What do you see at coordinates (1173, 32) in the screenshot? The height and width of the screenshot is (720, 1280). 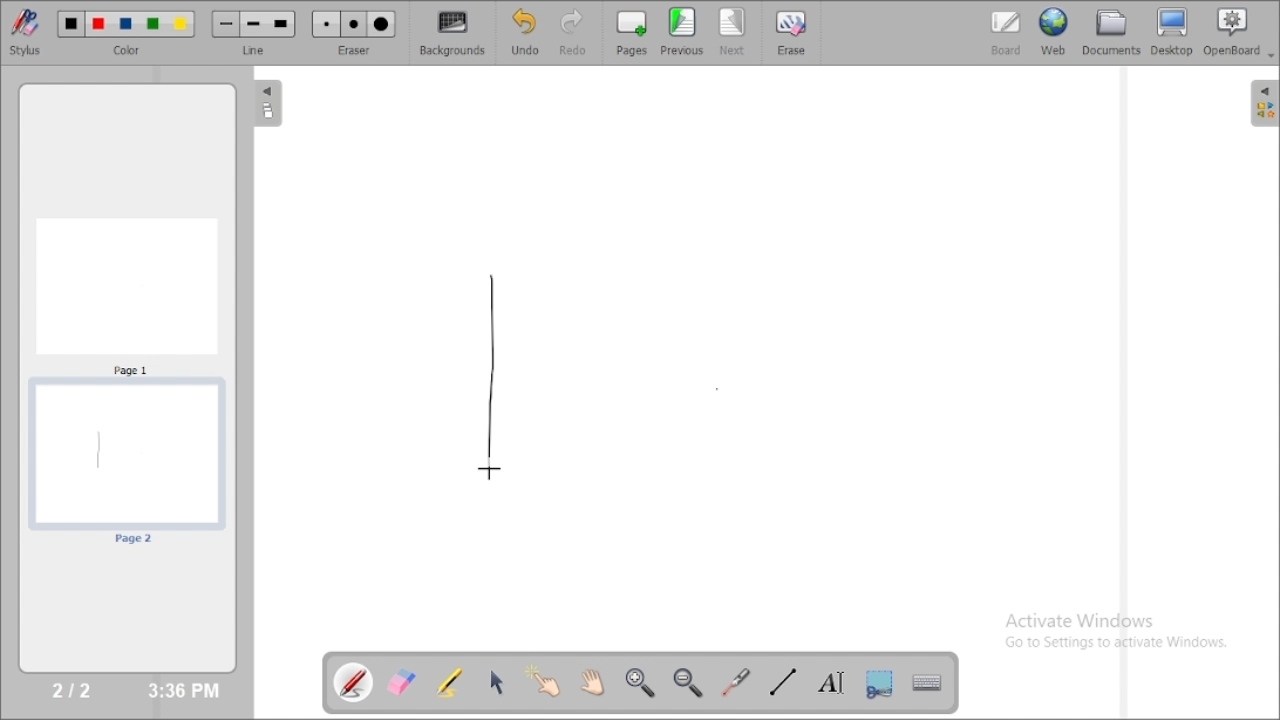 I see `desktop` at bounding box center [1173, 32].